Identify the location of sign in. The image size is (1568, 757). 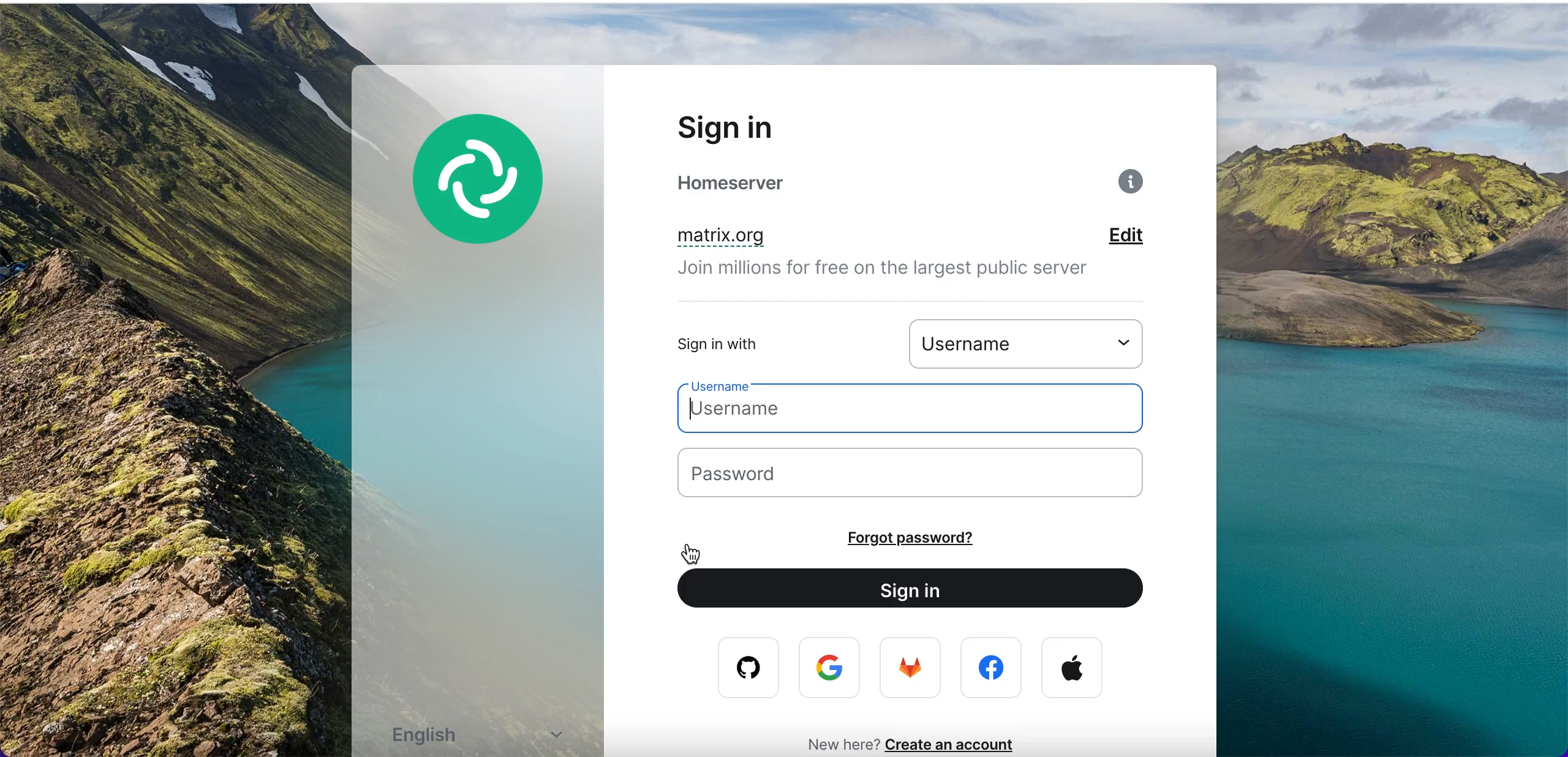
(921, 590).